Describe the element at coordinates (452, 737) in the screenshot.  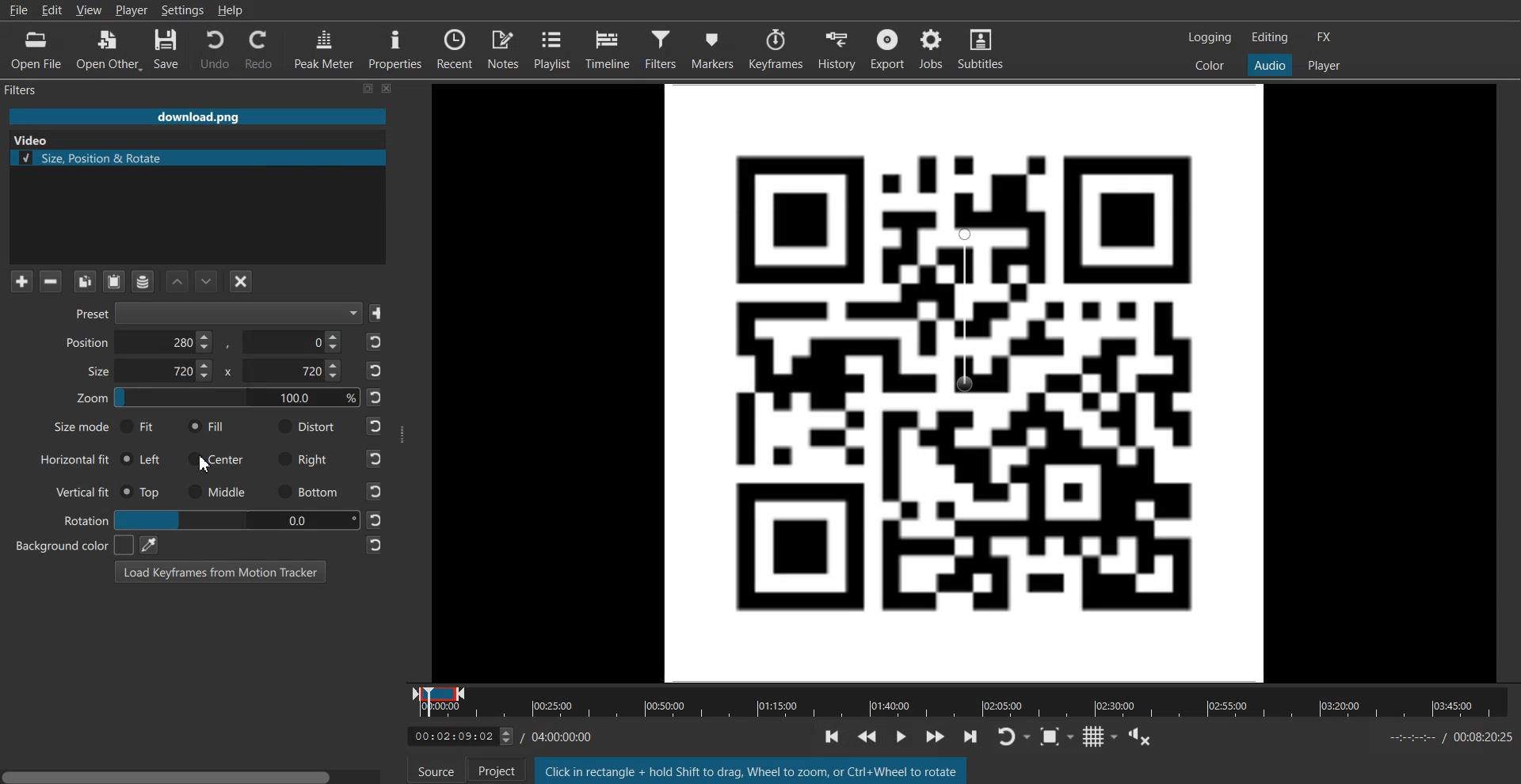
I see `Timeline` at that location.